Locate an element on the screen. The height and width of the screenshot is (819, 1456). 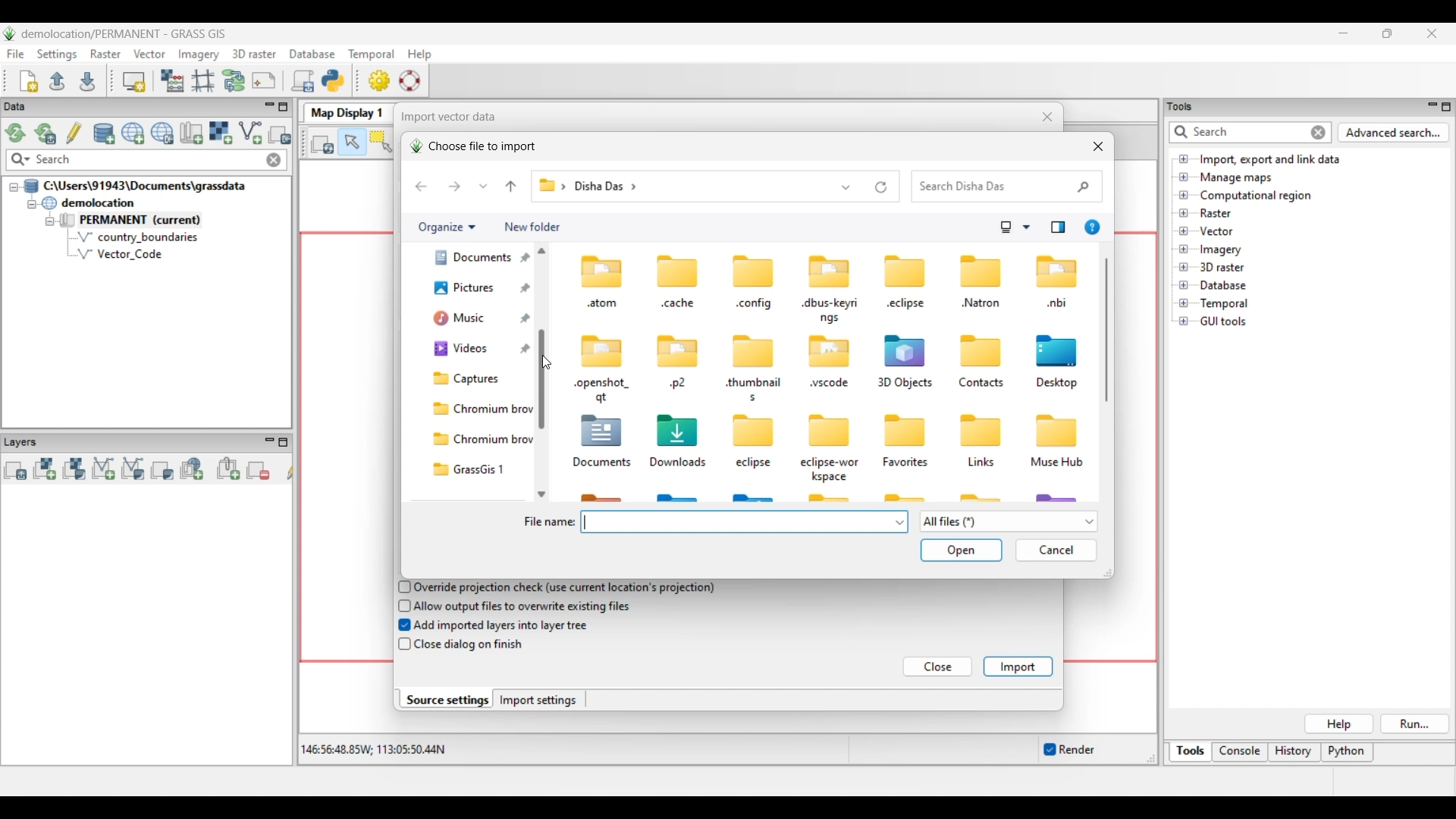
Add group is located at coordinates (228, 469).